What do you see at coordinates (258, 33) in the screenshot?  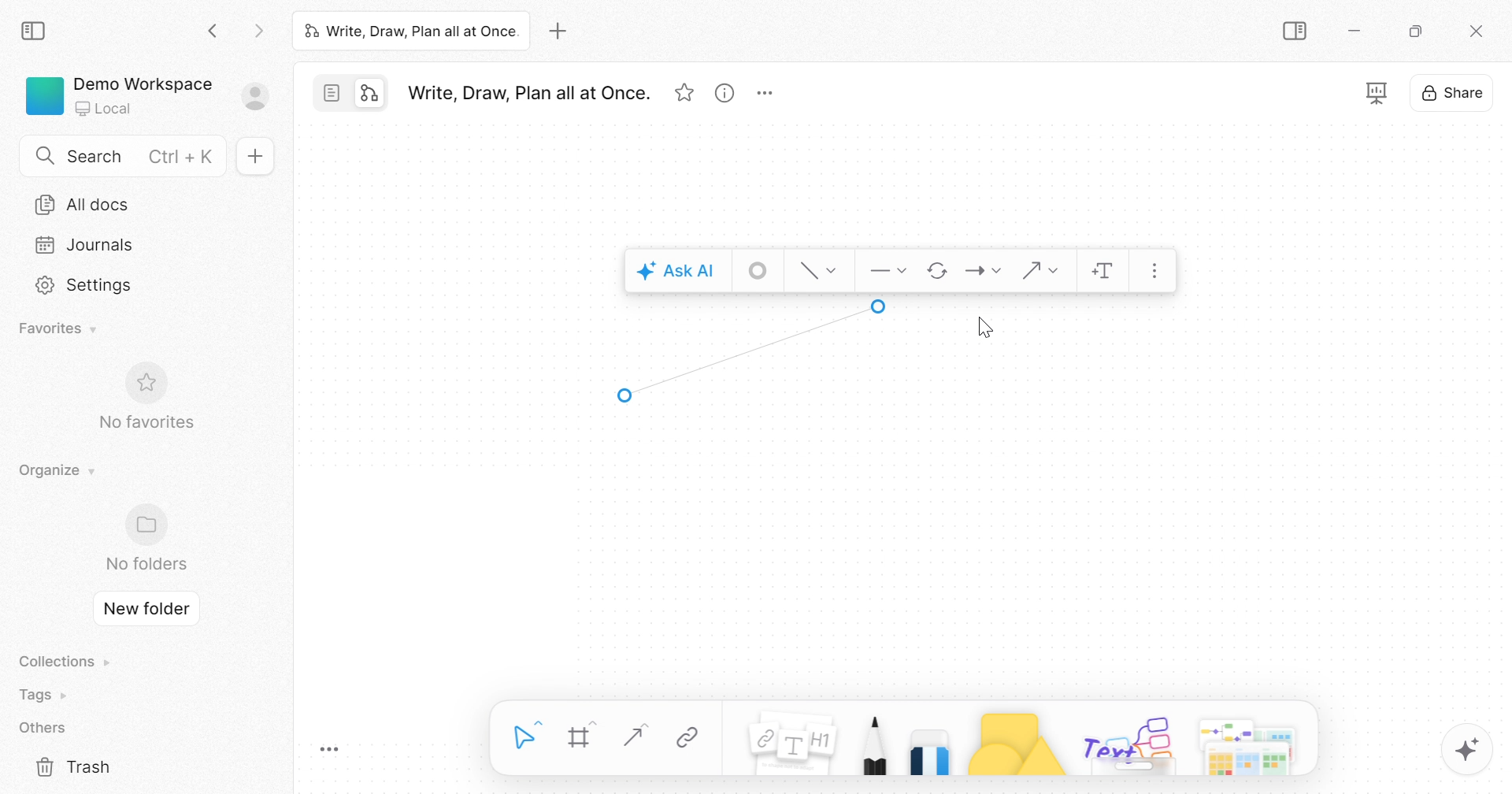 I see `Forward` at bounding box center [258, 33].